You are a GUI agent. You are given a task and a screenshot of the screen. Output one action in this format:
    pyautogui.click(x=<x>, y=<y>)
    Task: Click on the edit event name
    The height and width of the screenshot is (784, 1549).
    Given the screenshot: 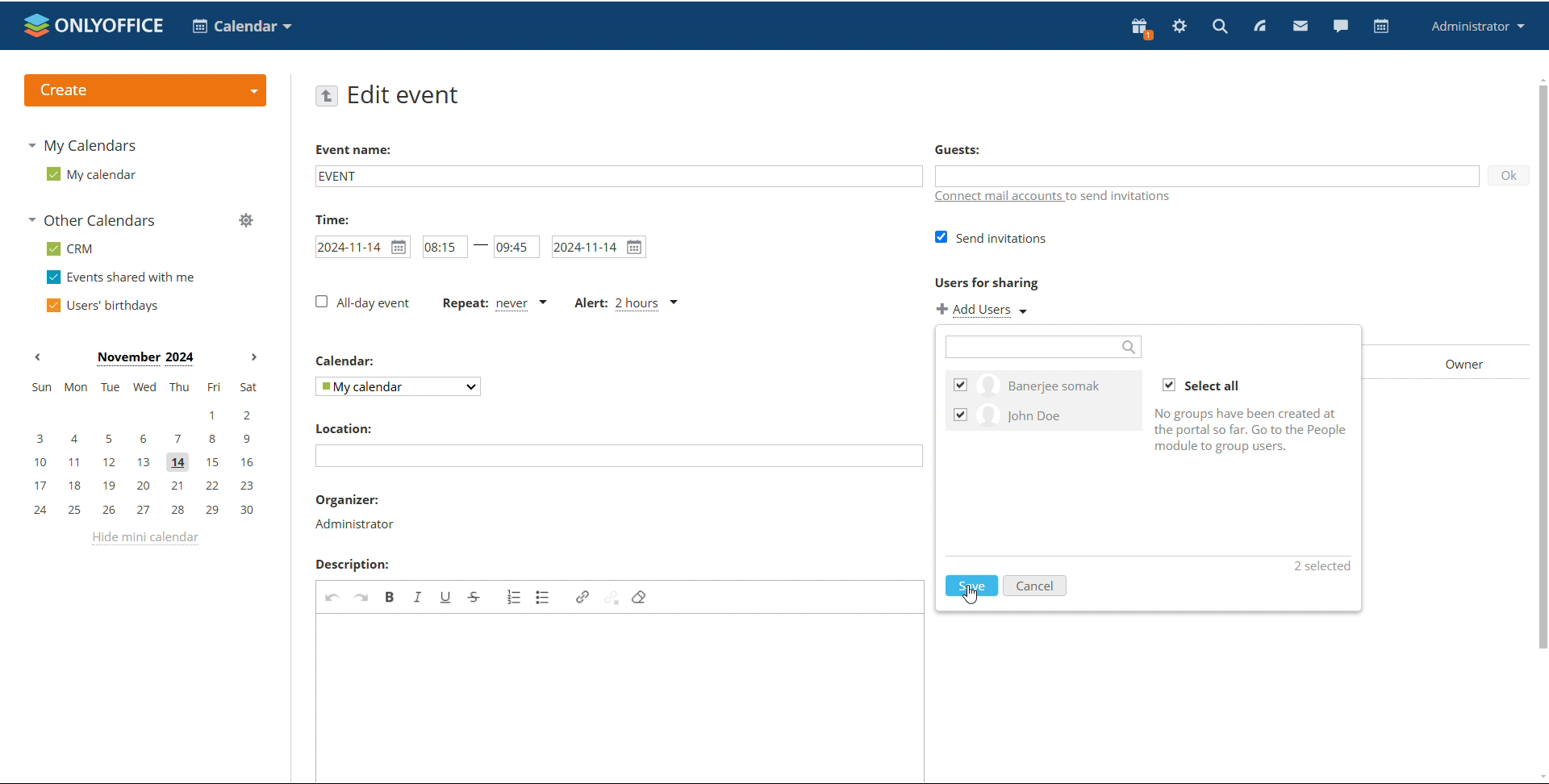 What is the action you would take?
    pyautogui.click(x=619, y=175)
    